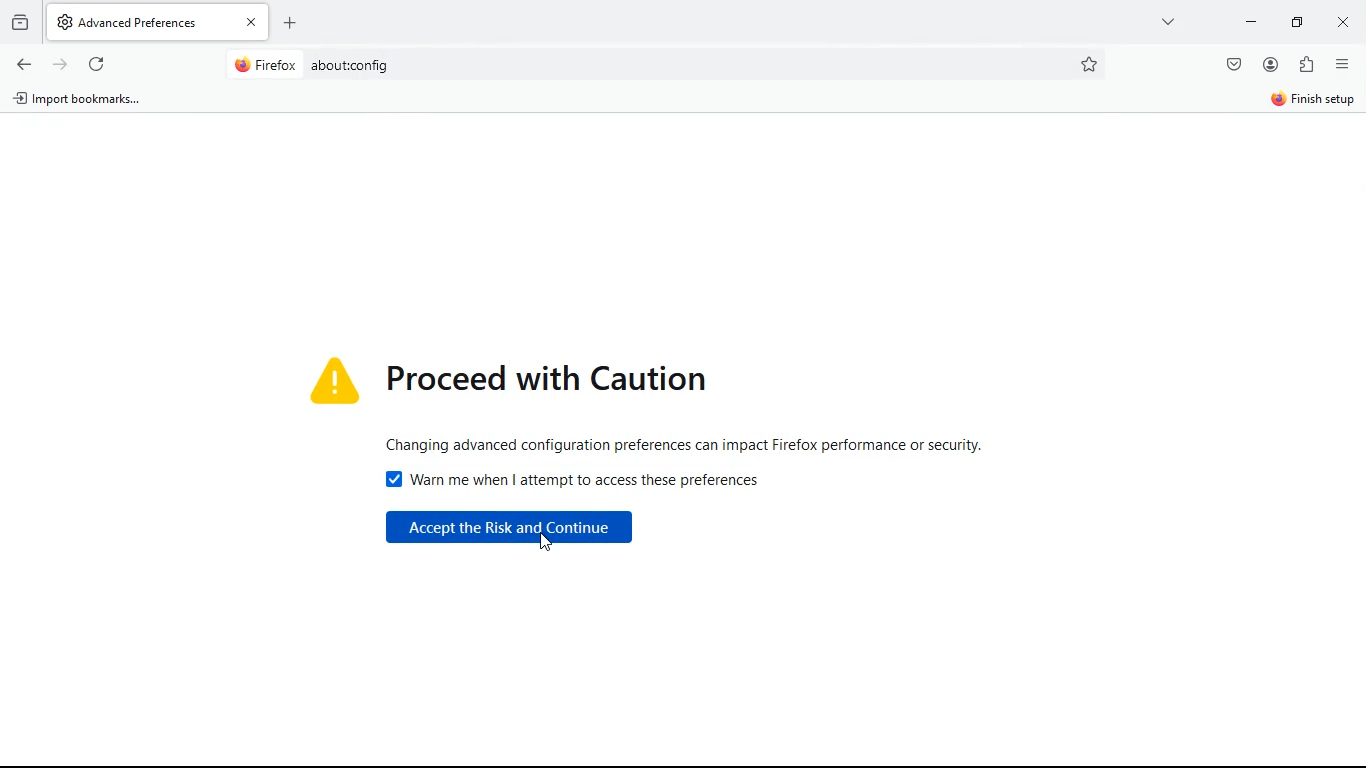 The image size is (1366, 768). I want to click on AdvancedPreferences, so click(160, 21).